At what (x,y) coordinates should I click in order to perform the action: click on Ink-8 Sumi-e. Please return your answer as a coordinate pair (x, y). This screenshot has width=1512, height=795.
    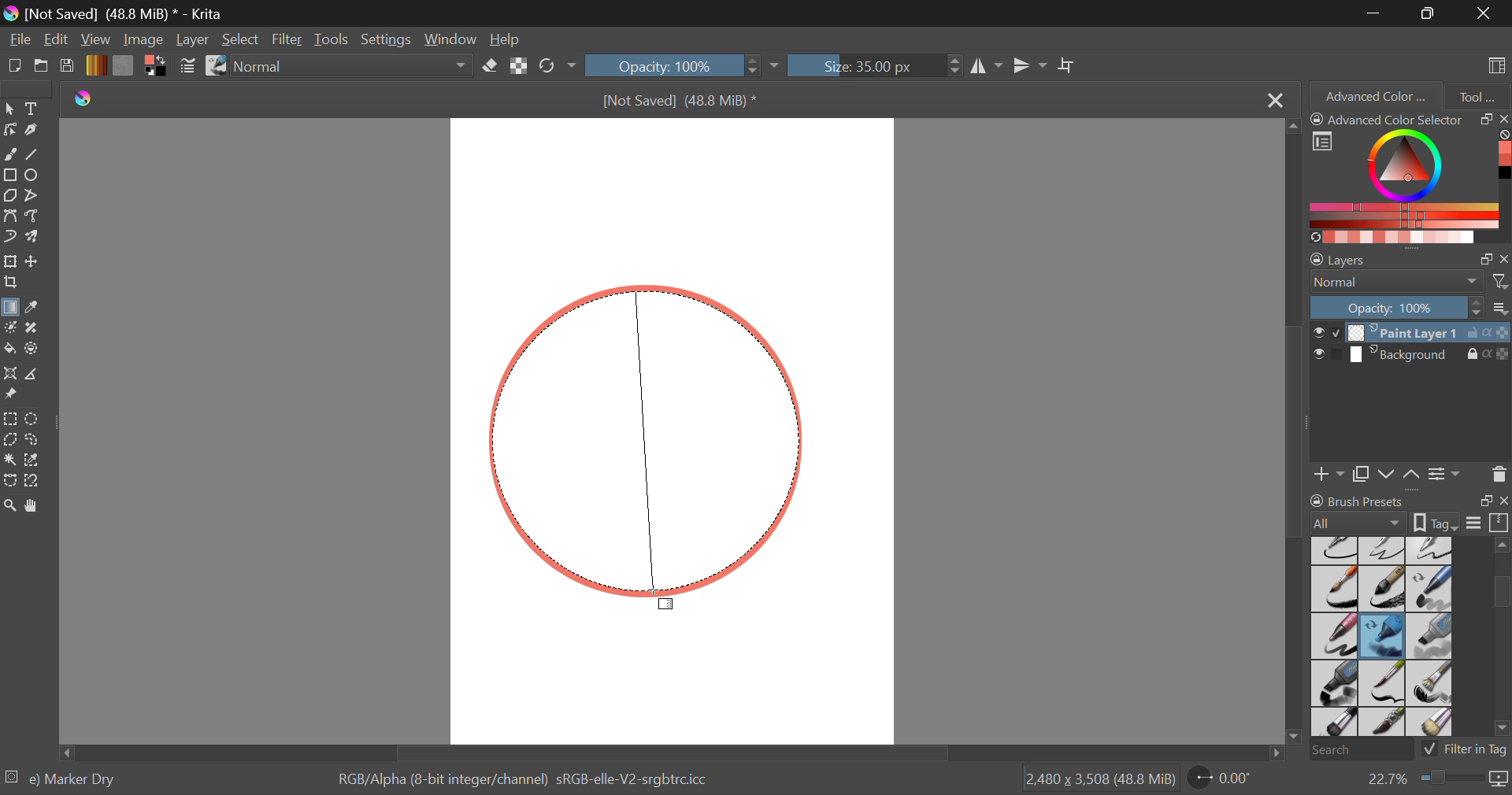
    Looking at the image, I should click on (1382, 590).